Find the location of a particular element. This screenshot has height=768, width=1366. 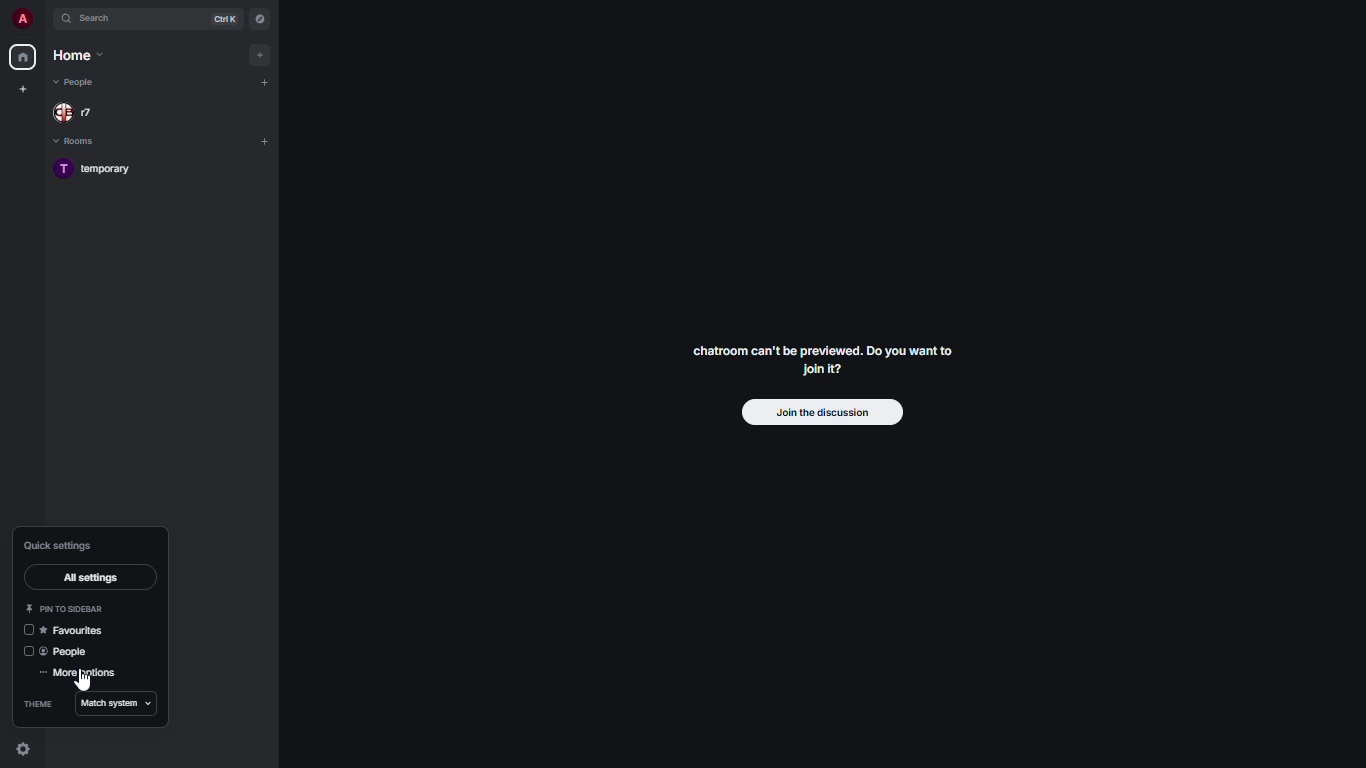

more settings is located at coordinates (85, 671).